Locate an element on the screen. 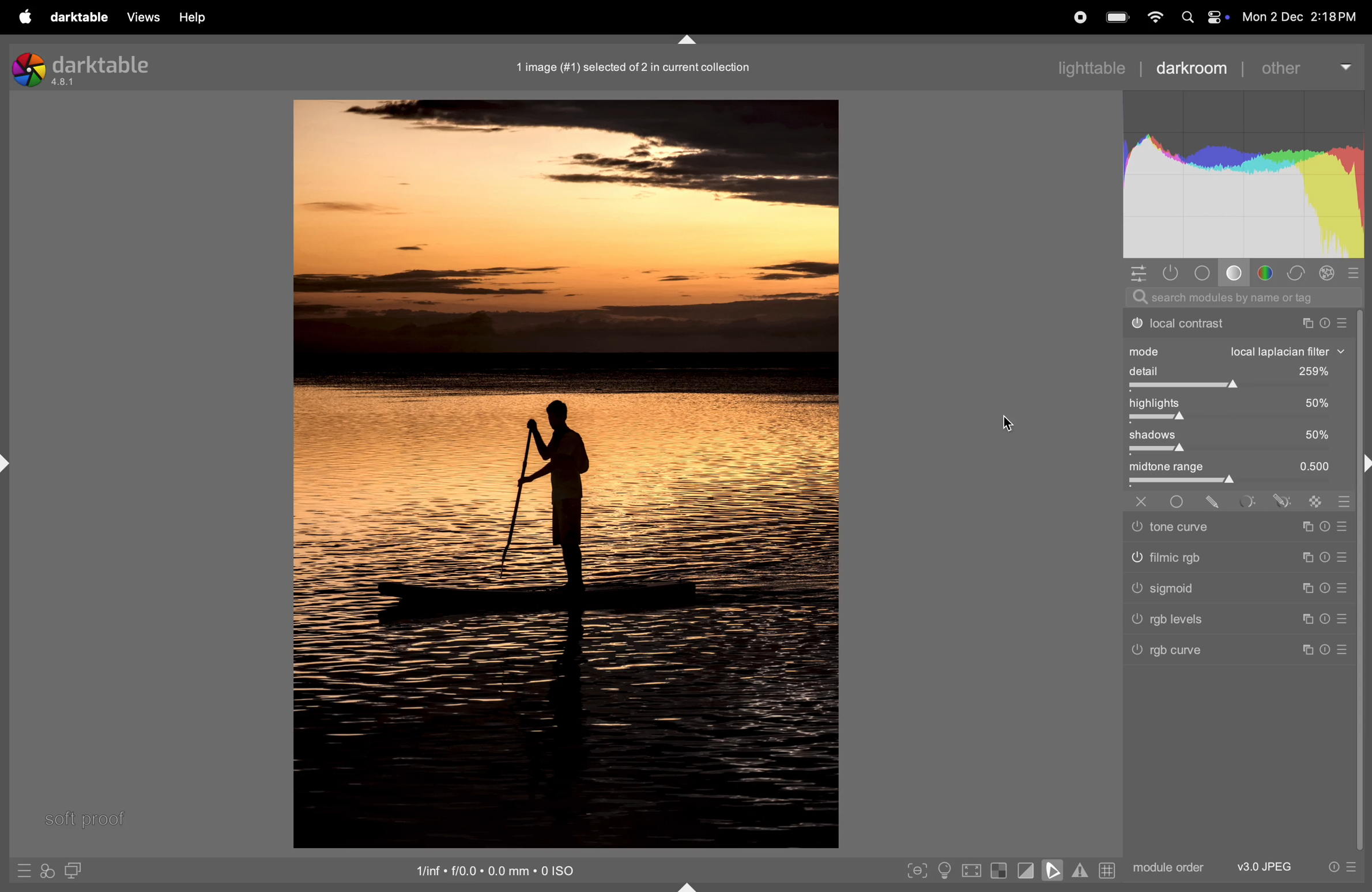 The image size is (1372, 892). sign is located at coordinates (1218, 502).